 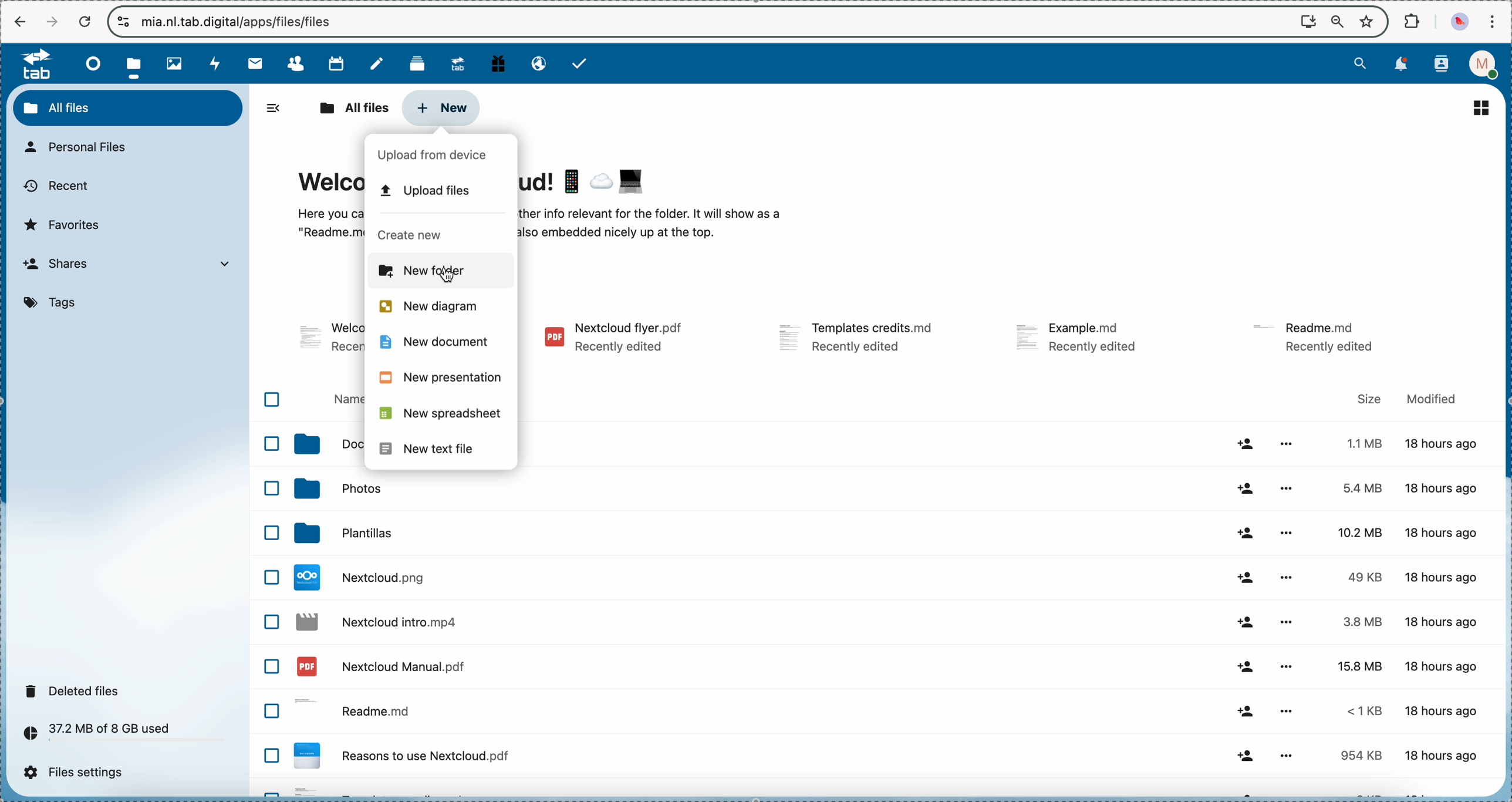 What do you see at coordinates (31, 63) in the screenshot?
I see `tab` at bounding box center [31, 63].